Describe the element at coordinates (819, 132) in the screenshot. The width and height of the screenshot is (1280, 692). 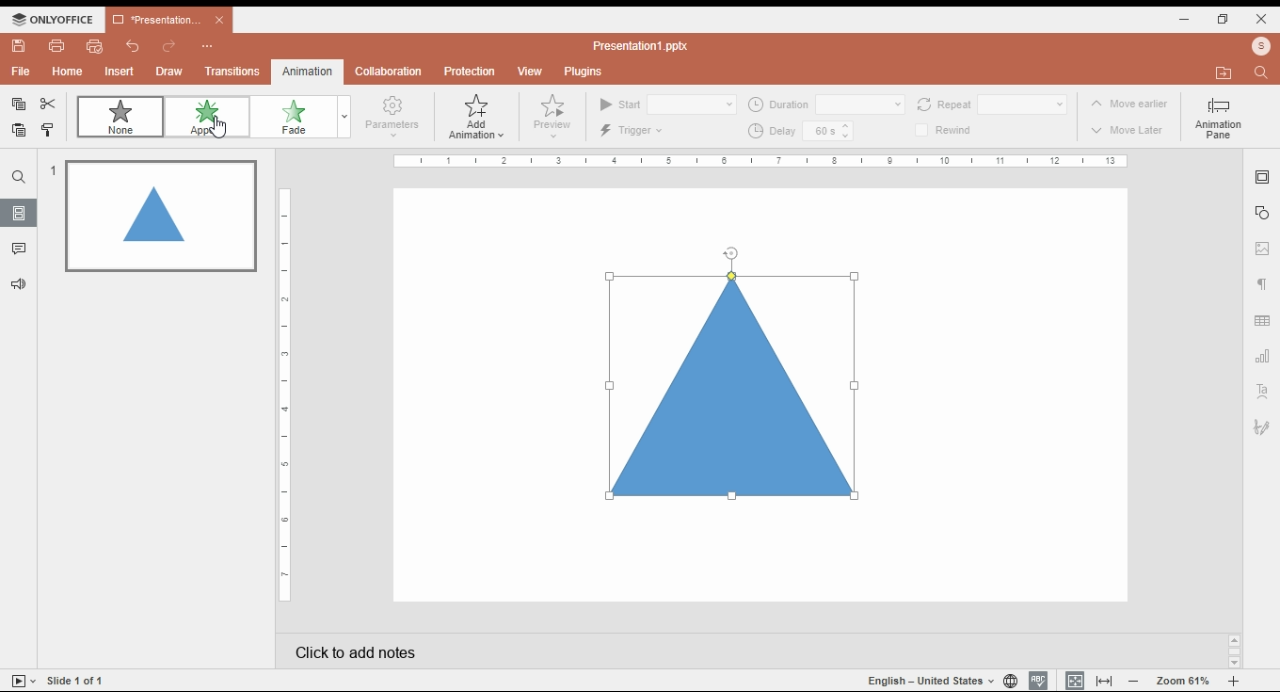
I see `60s` at that location.